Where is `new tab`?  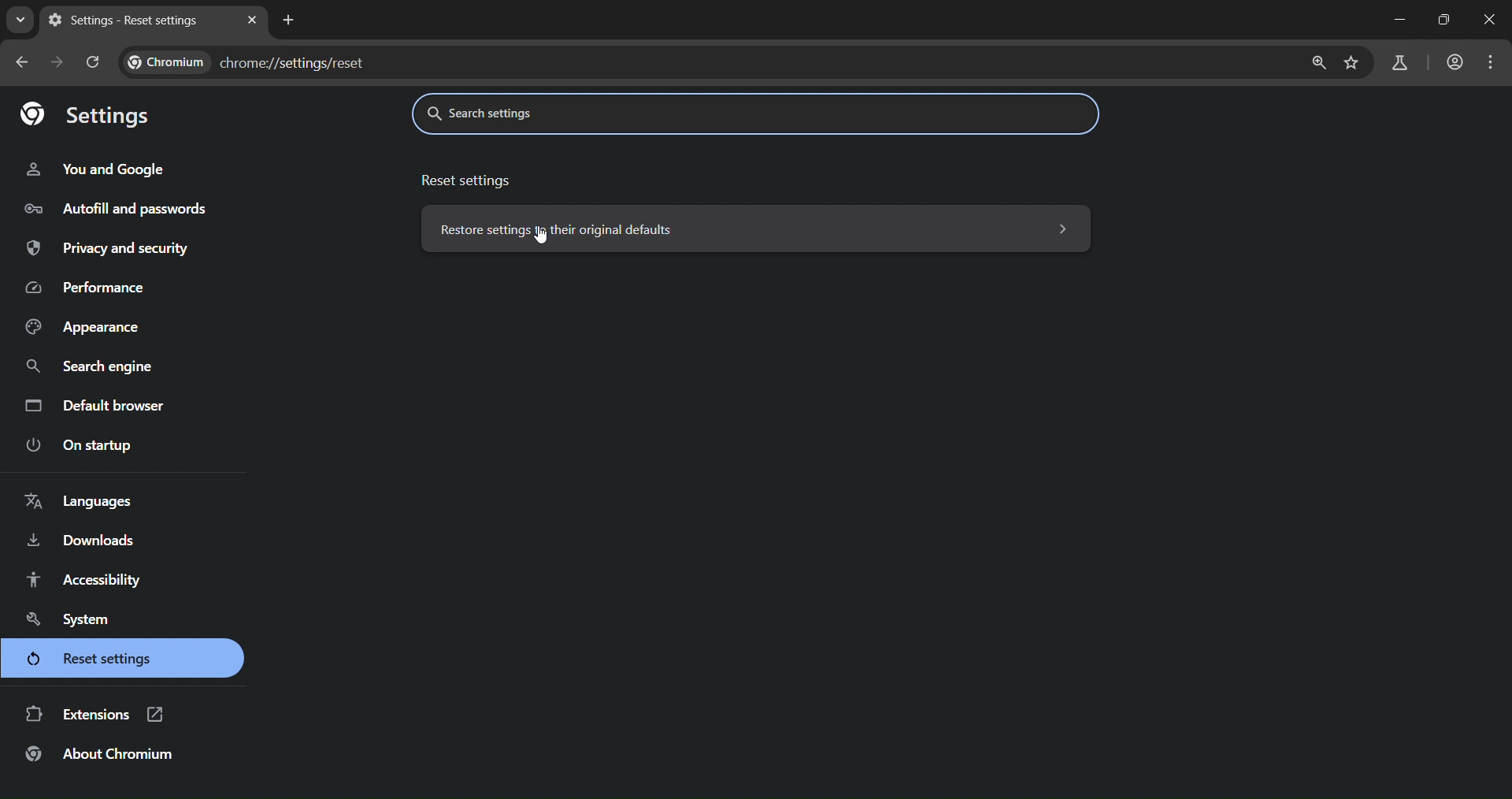
new tab is located at coordinates (289, 20).